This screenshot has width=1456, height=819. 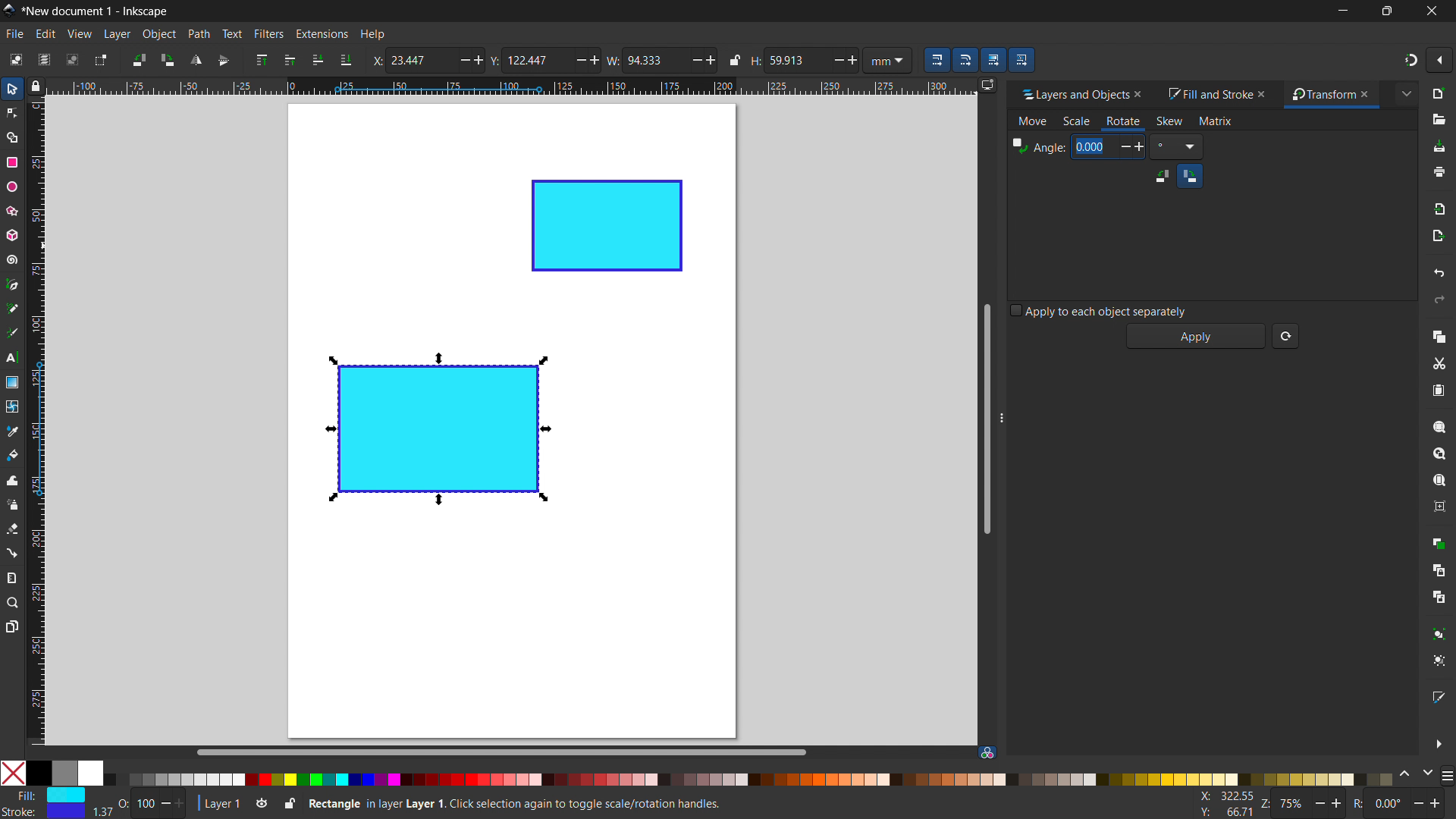 What do you see at coordinates (137, 59) in the screenshot?
I see `rotate 90 ccw` at bounding box center [137, 59].